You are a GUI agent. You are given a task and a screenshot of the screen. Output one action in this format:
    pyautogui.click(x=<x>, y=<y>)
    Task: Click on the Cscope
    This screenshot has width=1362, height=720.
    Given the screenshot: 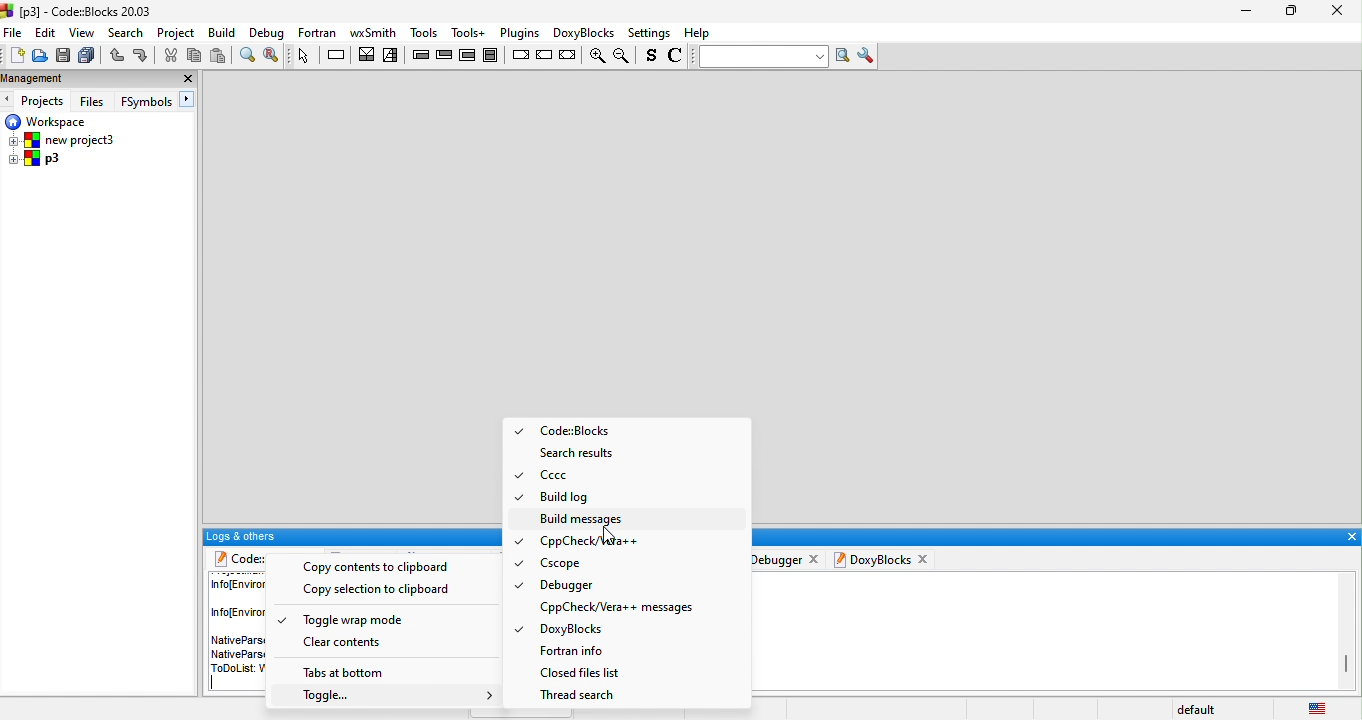 What is the action you would take?
    pyautogui.click(x=571, y=564)
    